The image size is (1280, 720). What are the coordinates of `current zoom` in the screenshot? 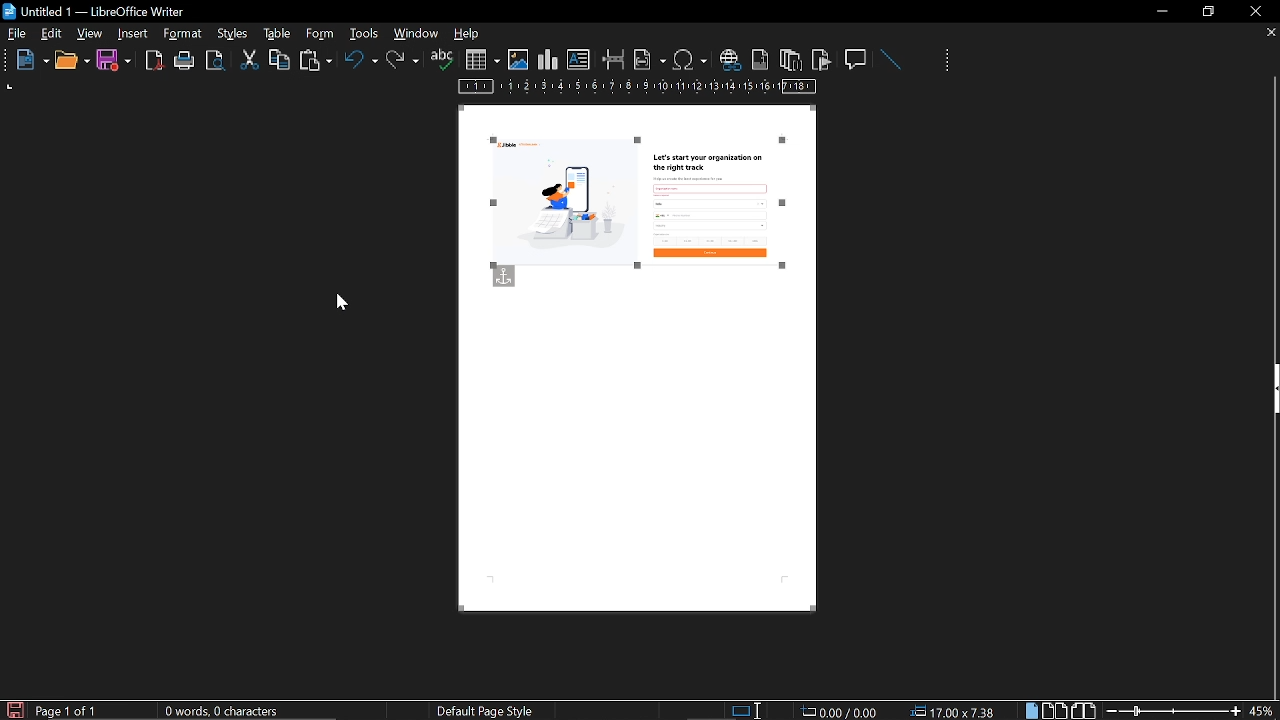 It's located at (1263, 710).